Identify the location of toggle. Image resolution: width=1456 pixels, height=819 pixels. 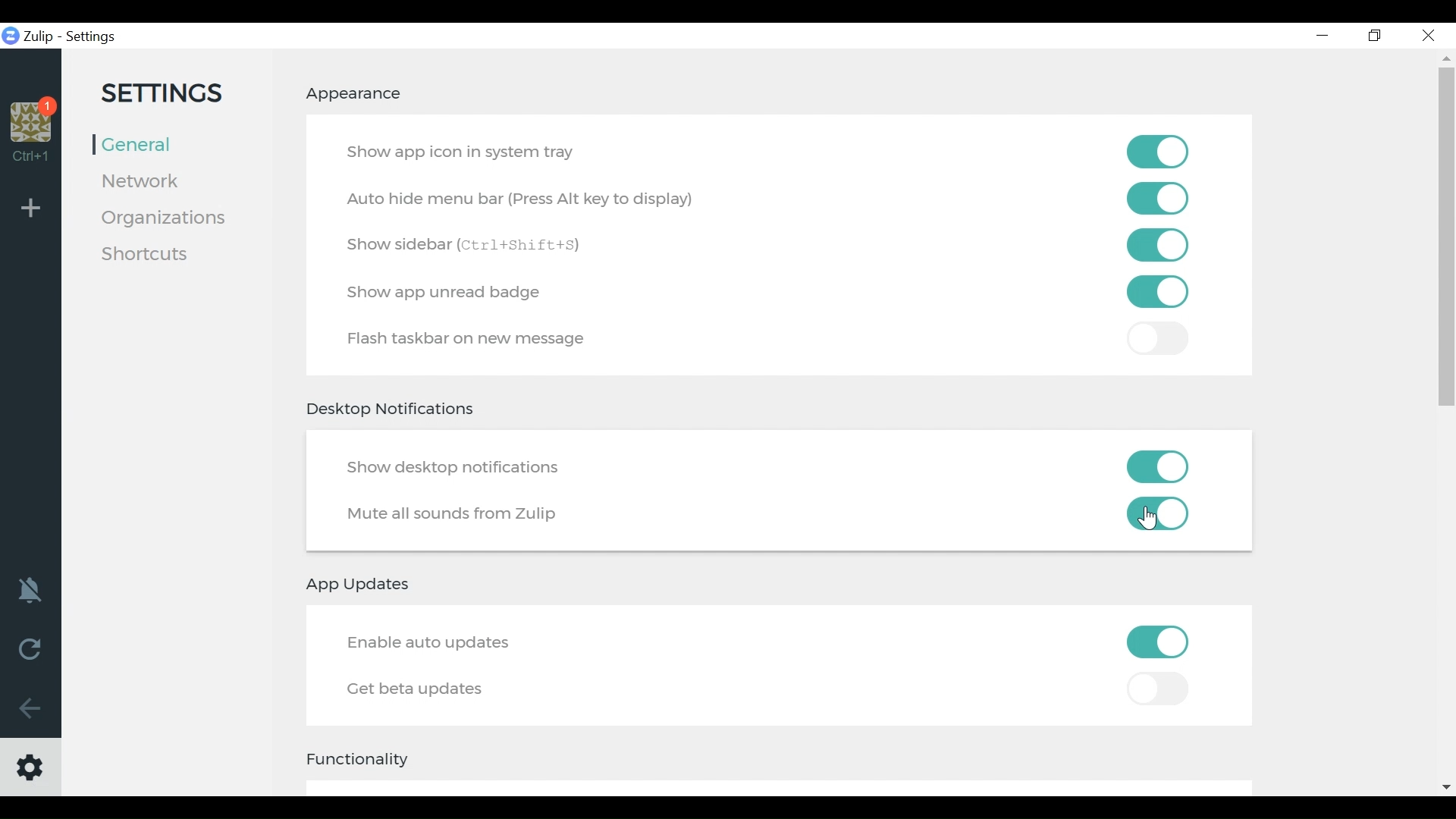
(1159, 338).